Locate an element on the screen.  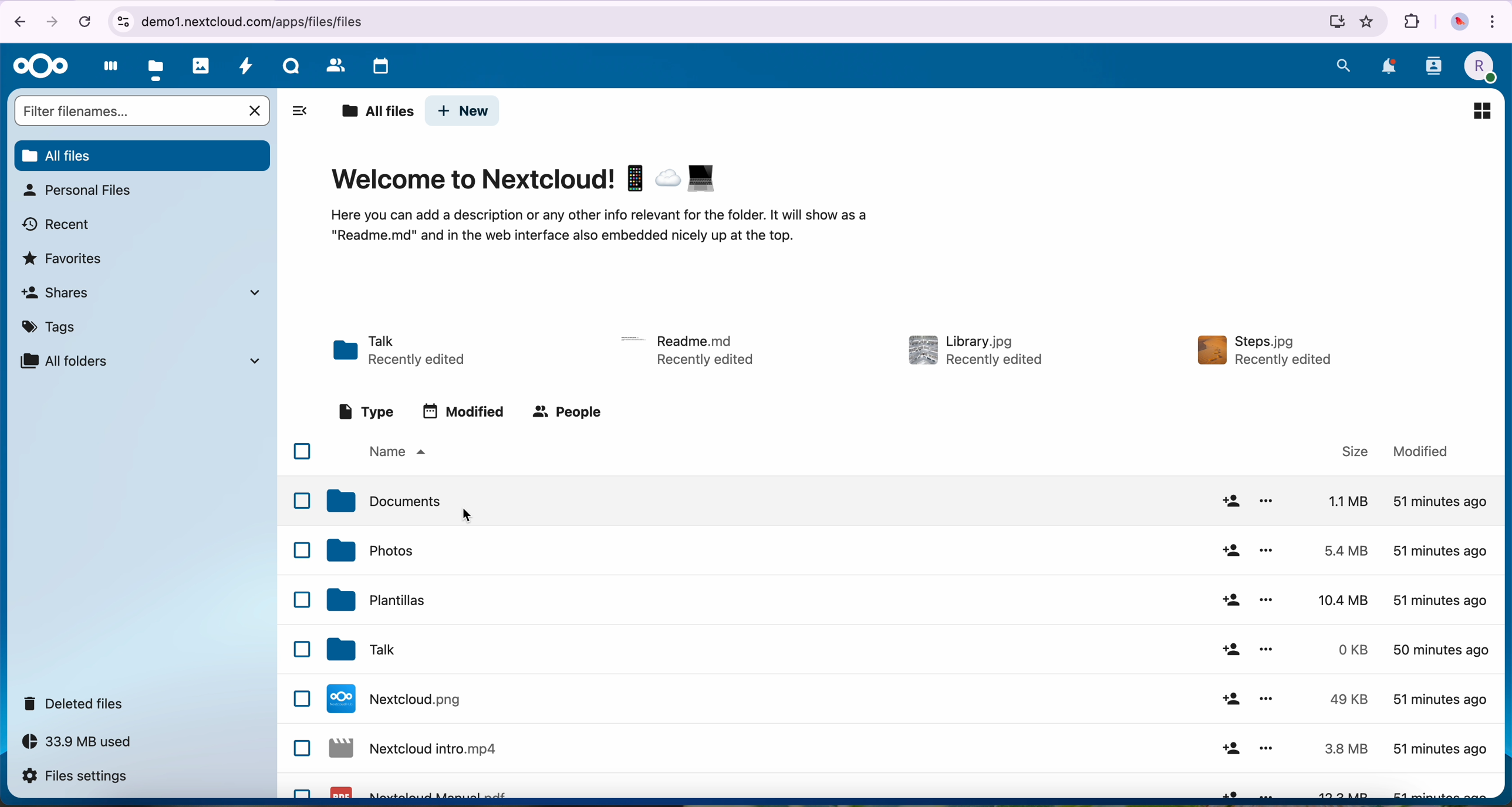
files settings is located at coordinates (77, 777).